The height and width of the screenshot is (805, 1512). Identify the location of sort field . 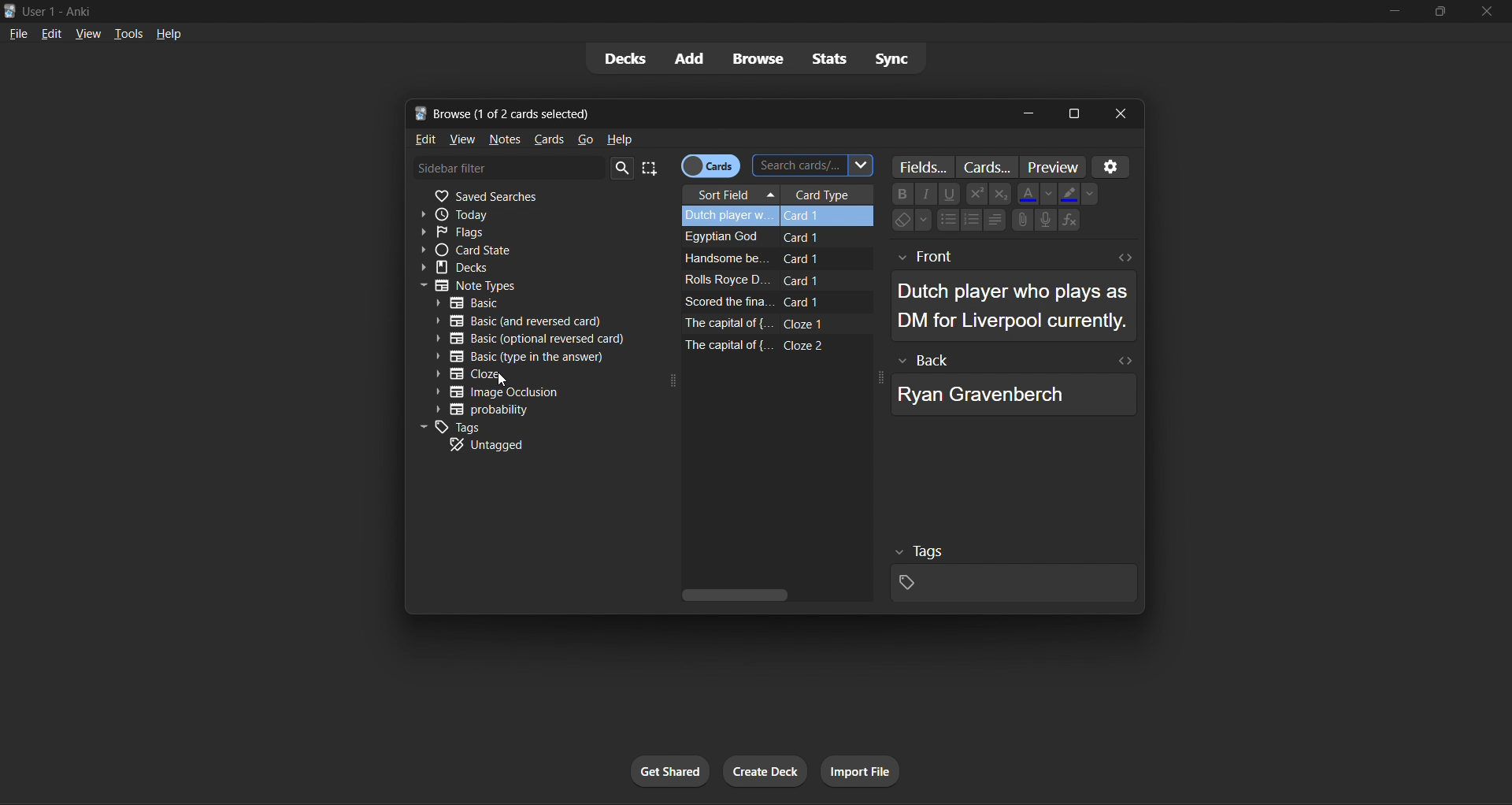
(731, 196).